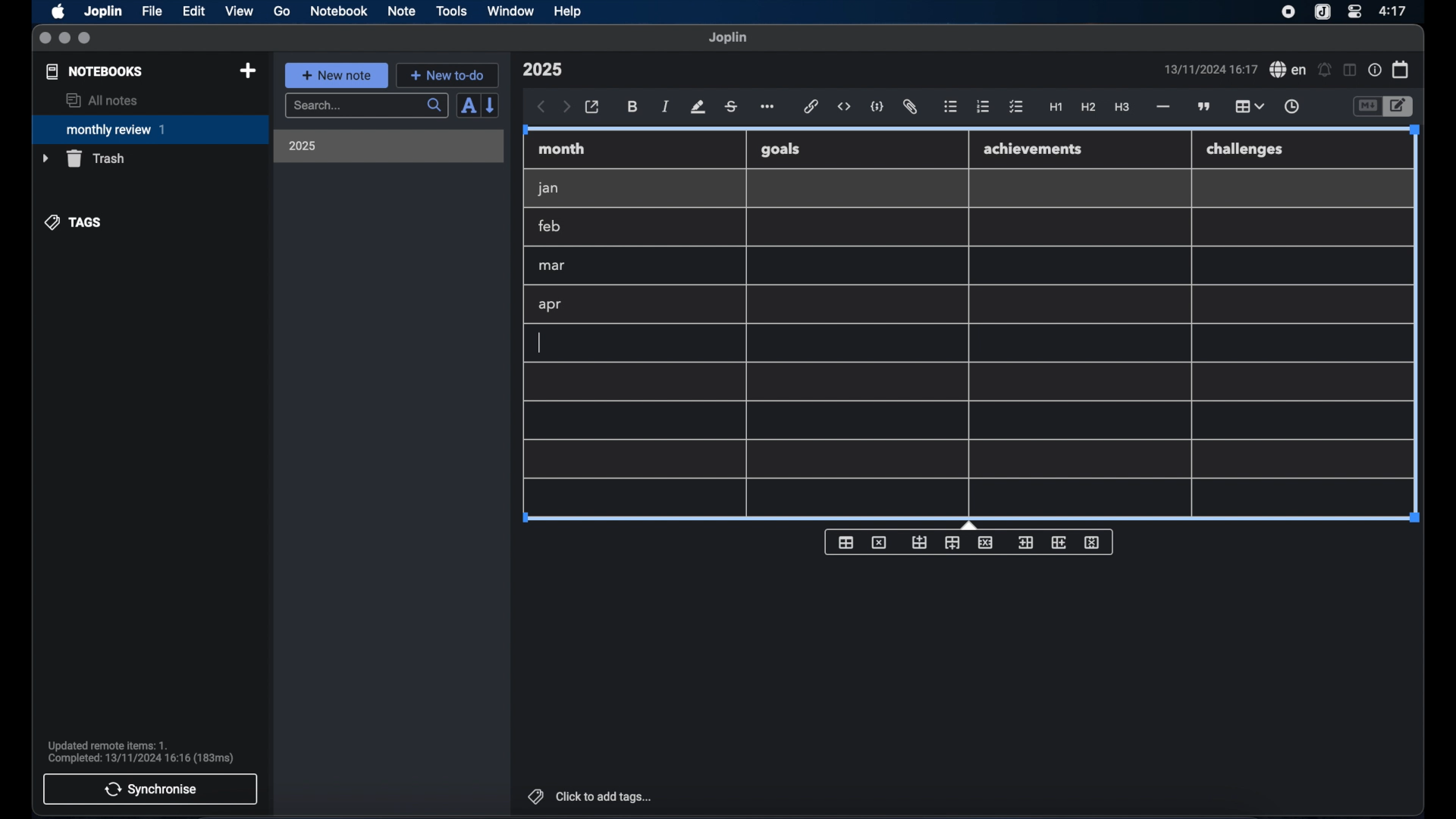  What do you see at coordinates (239, 11) in the screenshot?
I see `view` at bounding box center [239, 11].